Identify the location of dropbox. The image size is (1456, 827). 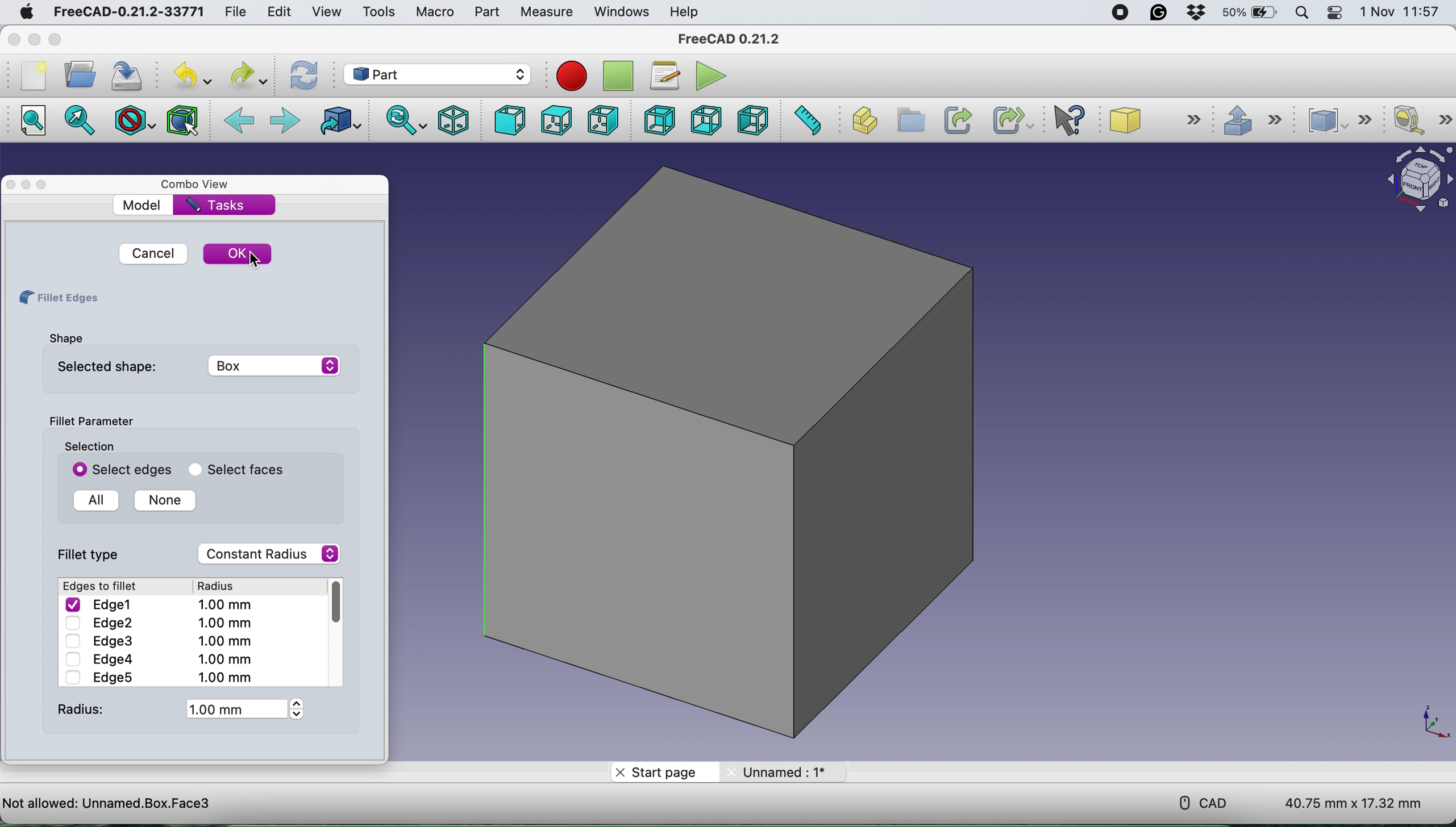
(1199, 12).